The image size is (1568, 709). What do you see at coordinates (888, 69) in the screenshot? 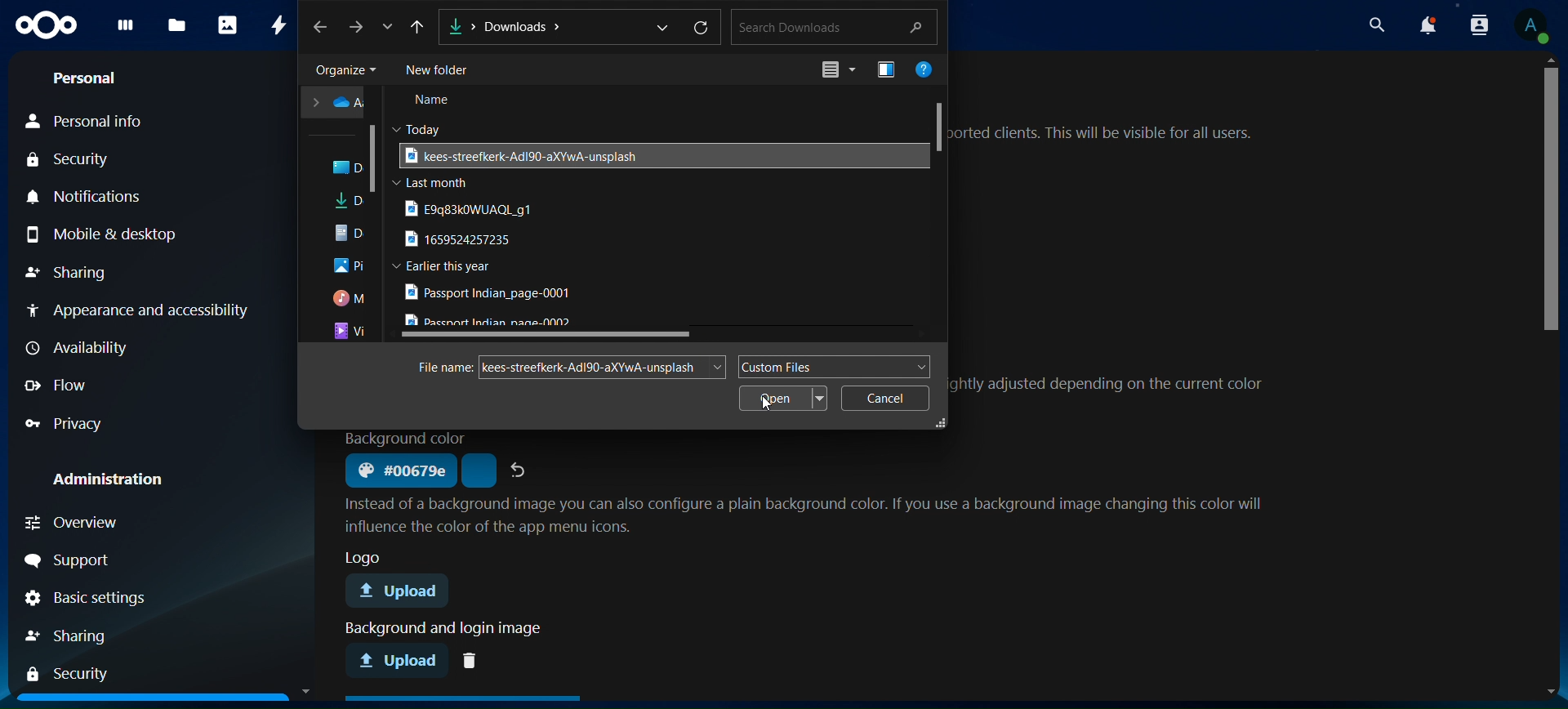
I see `icon` at bounding box center [888, 69].